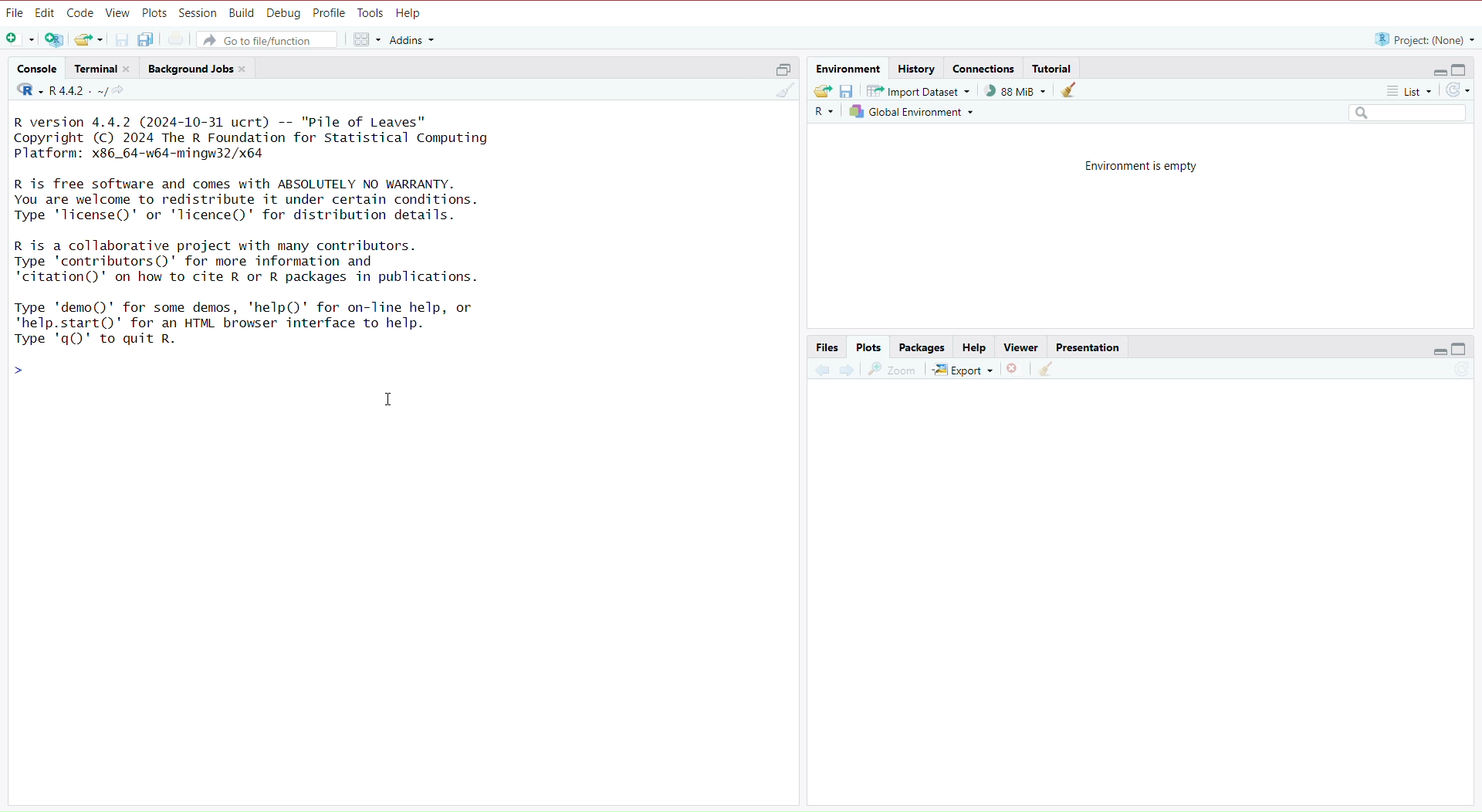  Describe the element at coordinates (893, 371) in the screenshot. I see `zoom` at that location.